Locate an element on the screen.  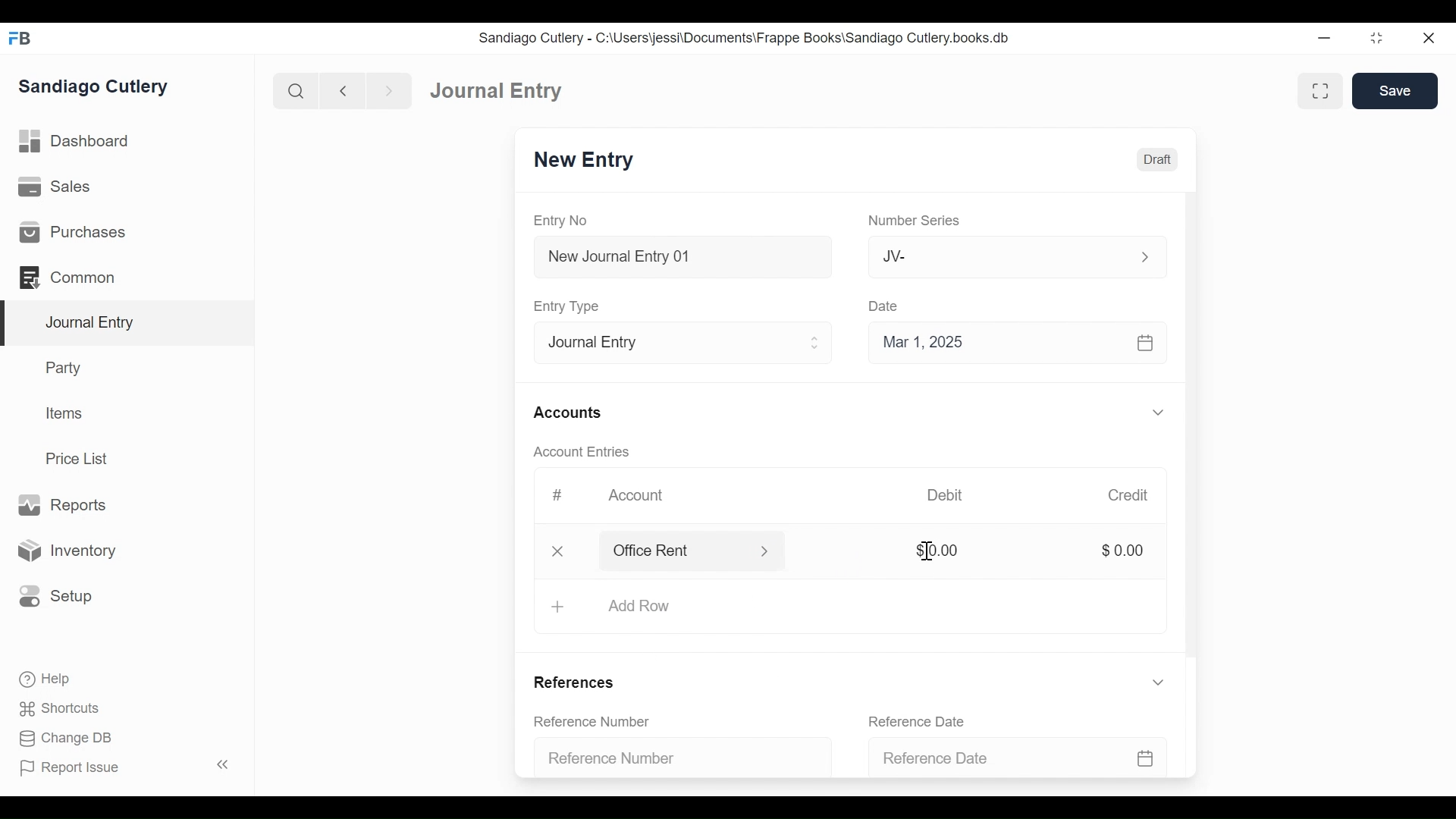
Number Series is located at coordinates (912, 221).